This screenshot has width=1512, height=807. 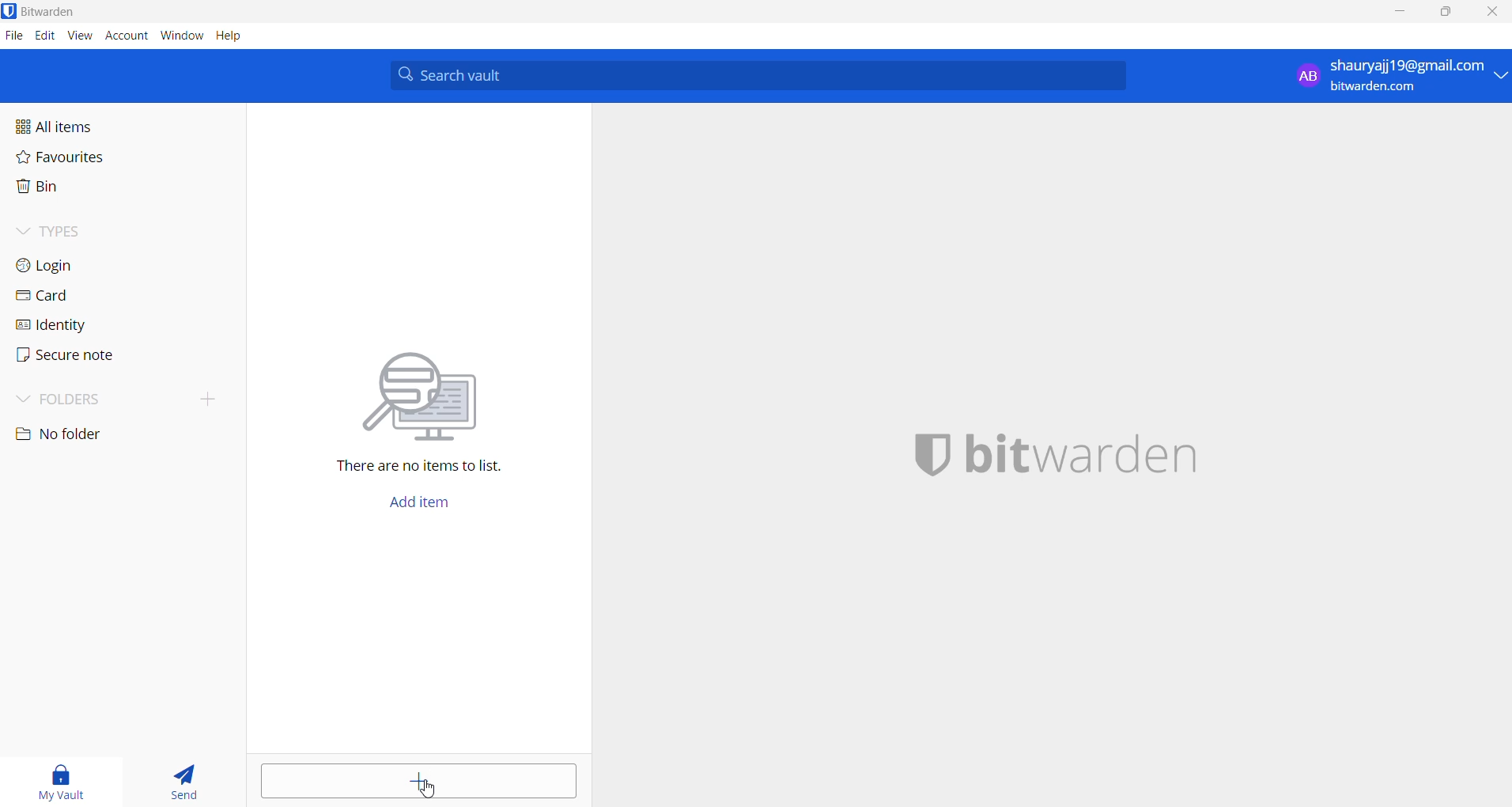 What do you see at coordinates (127, 37) in the screenshot?
I see `account` at bounding box center [127, 37].